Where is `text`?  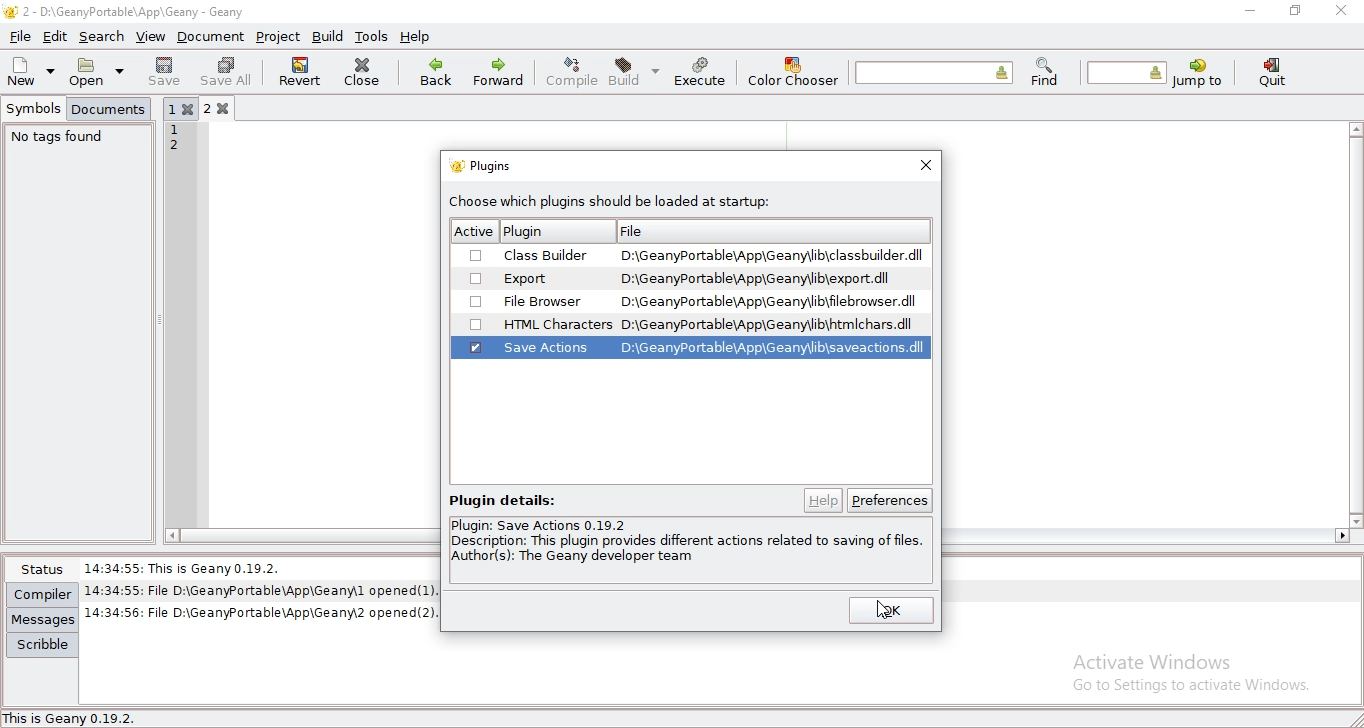
text is located at coordinates (681, 547).